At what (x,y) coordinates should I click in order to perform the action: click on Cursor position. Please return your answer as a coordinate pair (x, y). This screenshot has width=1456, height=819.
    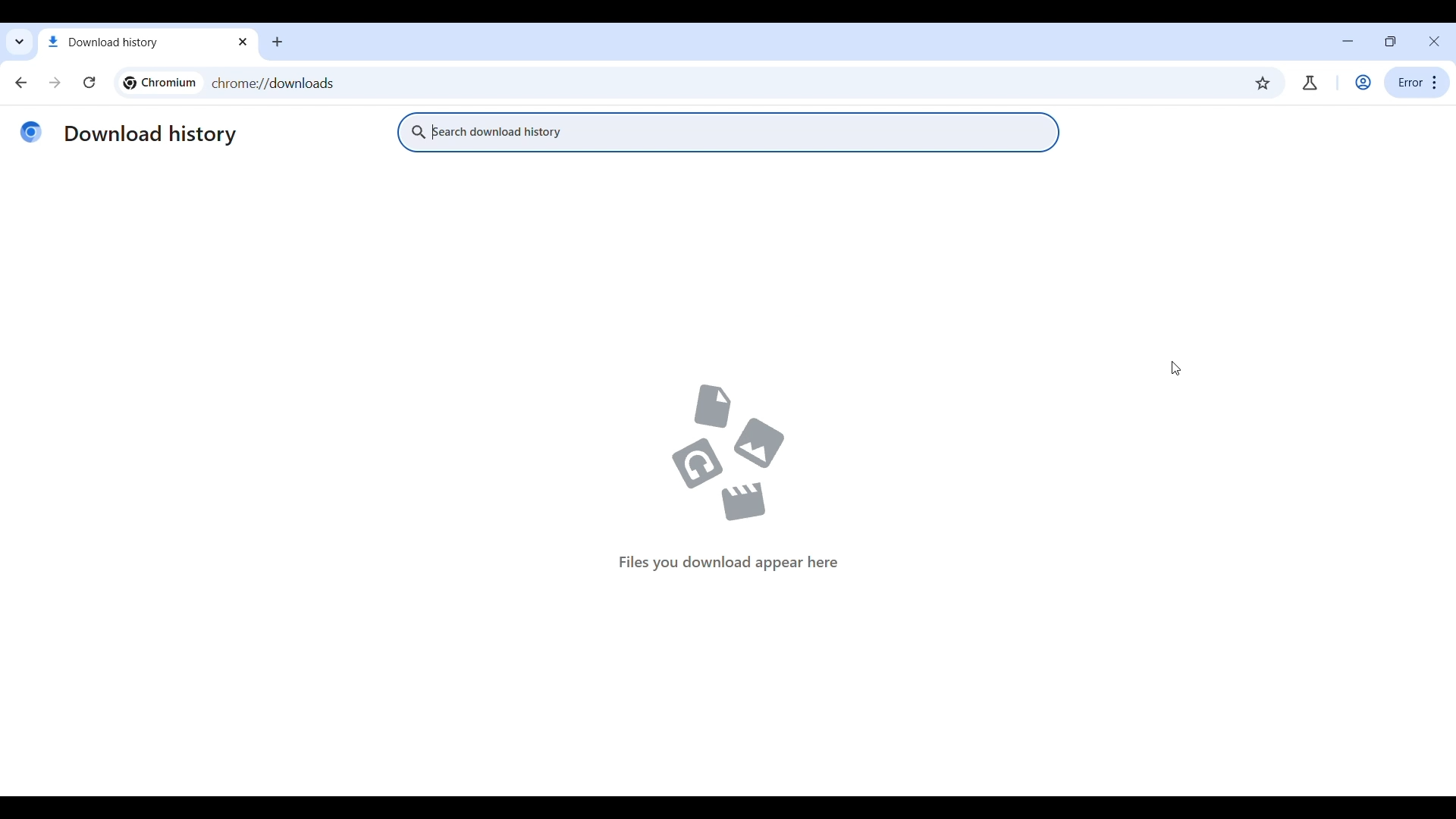
    Looking at the image, I should click on (1176, 369).